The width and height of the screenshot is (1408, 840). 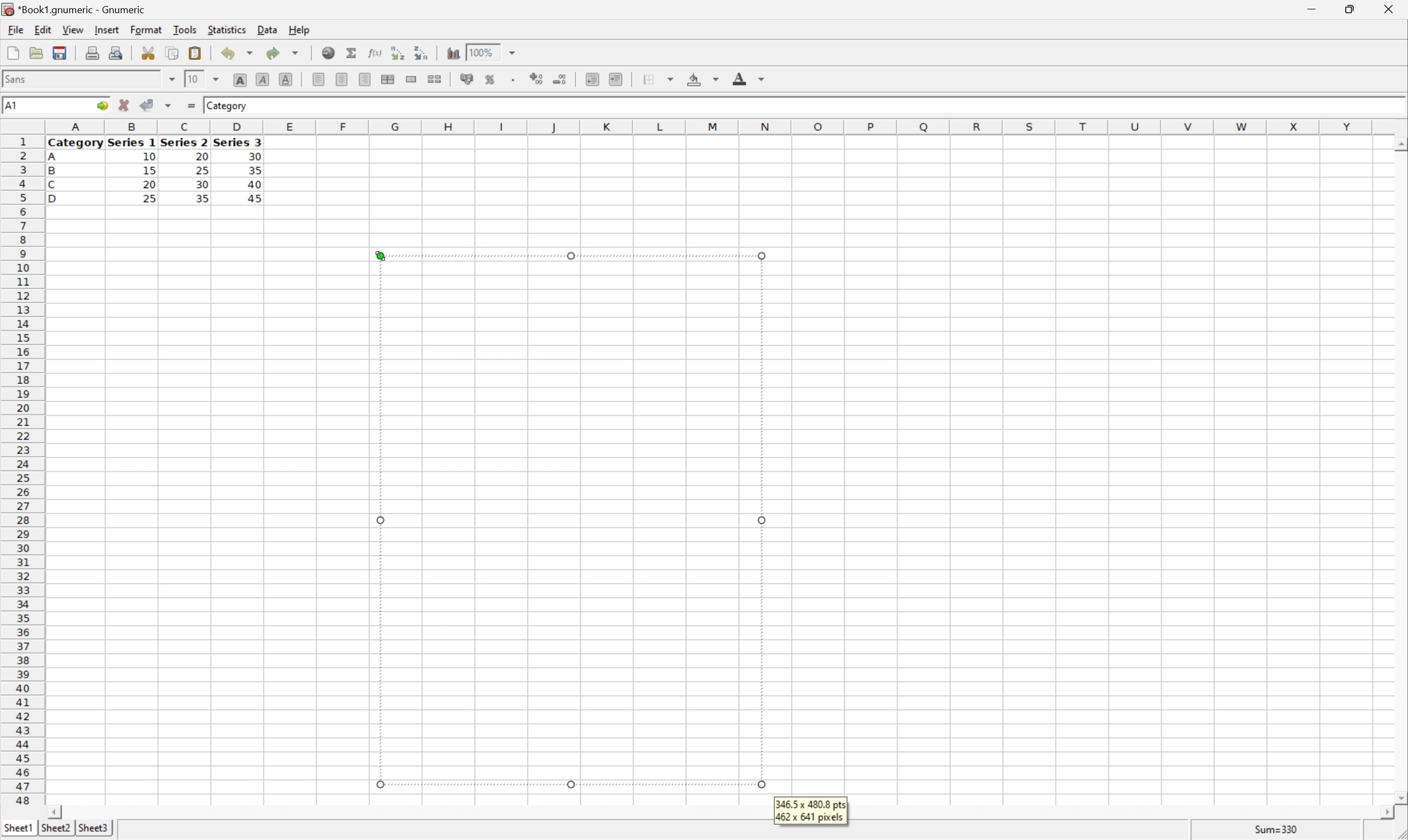 I want to click on Insert a chart, so click(x=501, y=77).